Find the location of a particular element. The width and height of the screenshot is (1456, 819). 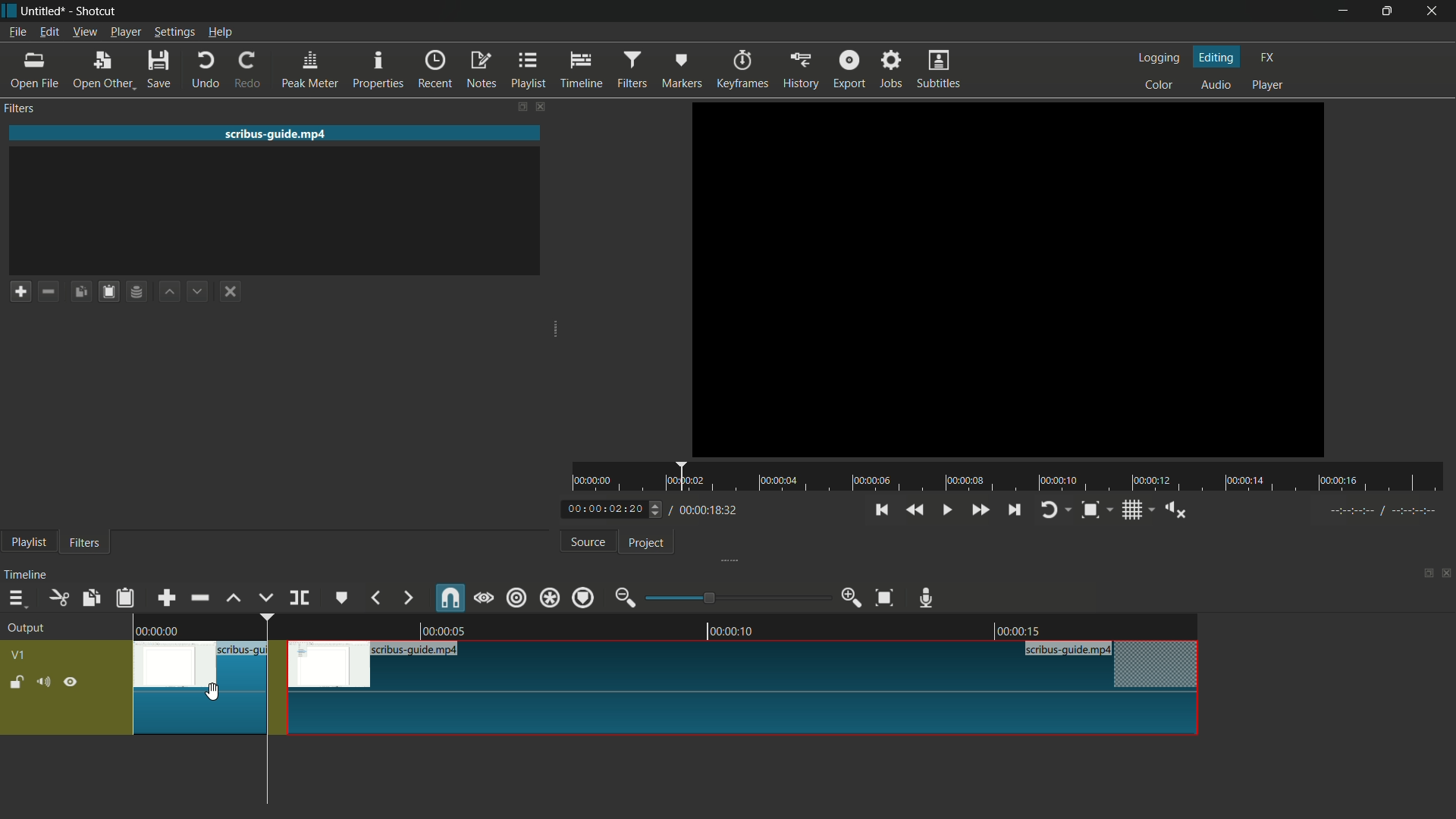

timeline menu is located at coordinates (15, 598).